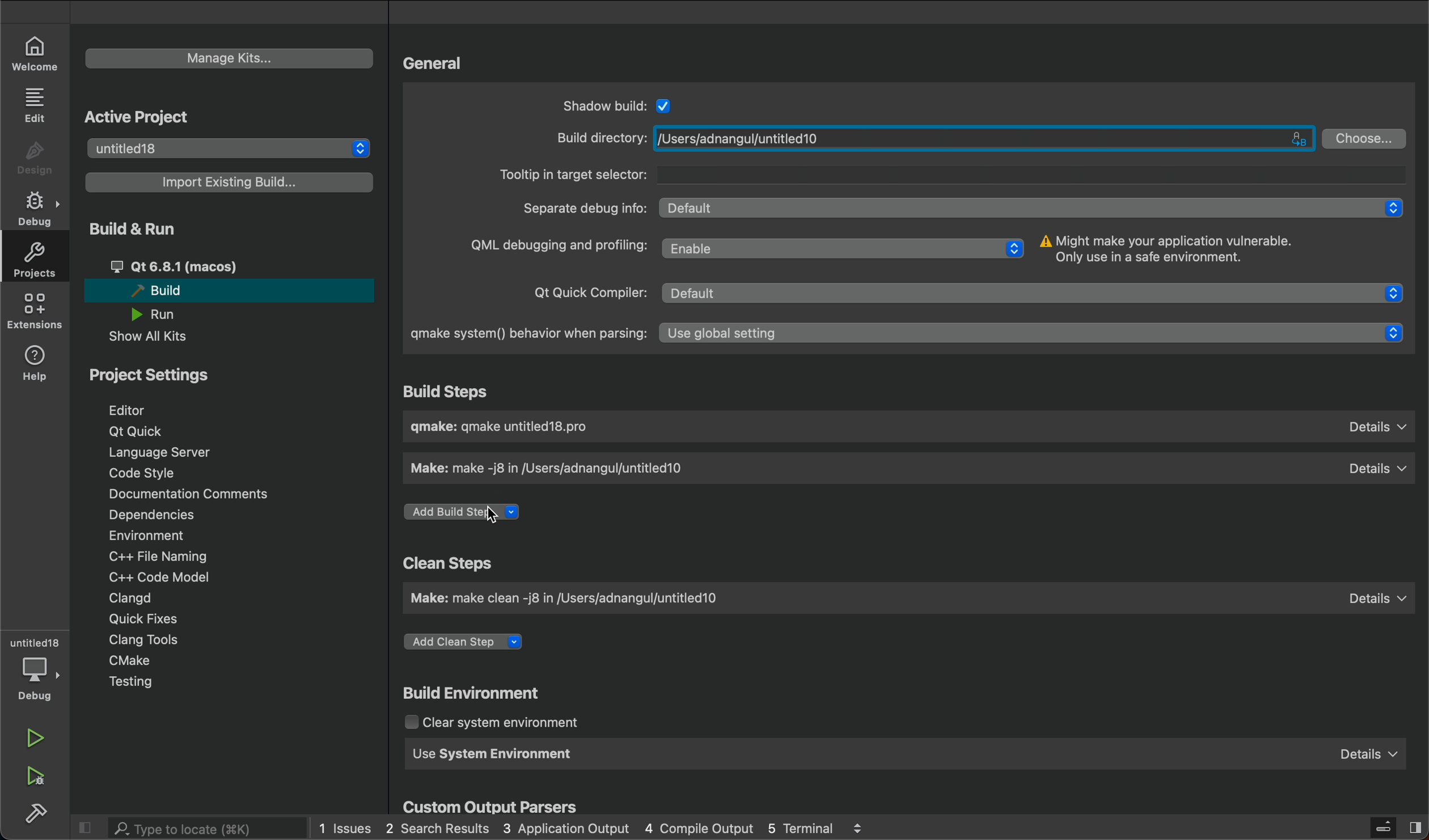  What do you see at coordinates (136, 231) in the screenshot?
I see `Build & Run` at bounding box center [136, 231].